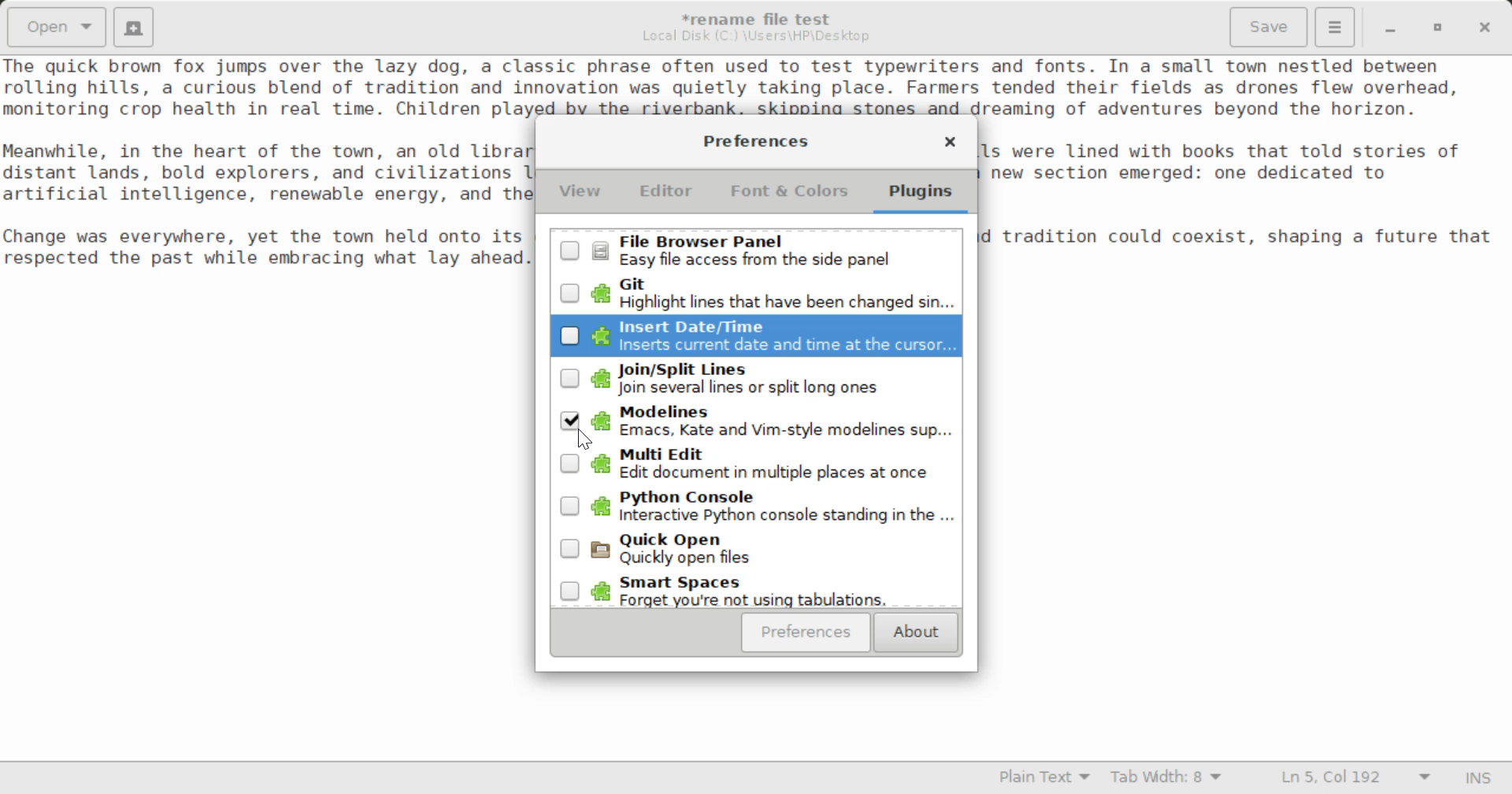 The image size is (1512, 794). Describe the element at coordinates (571, 423) in the screenshot. I see `Cursor position to Unselect` at that location.